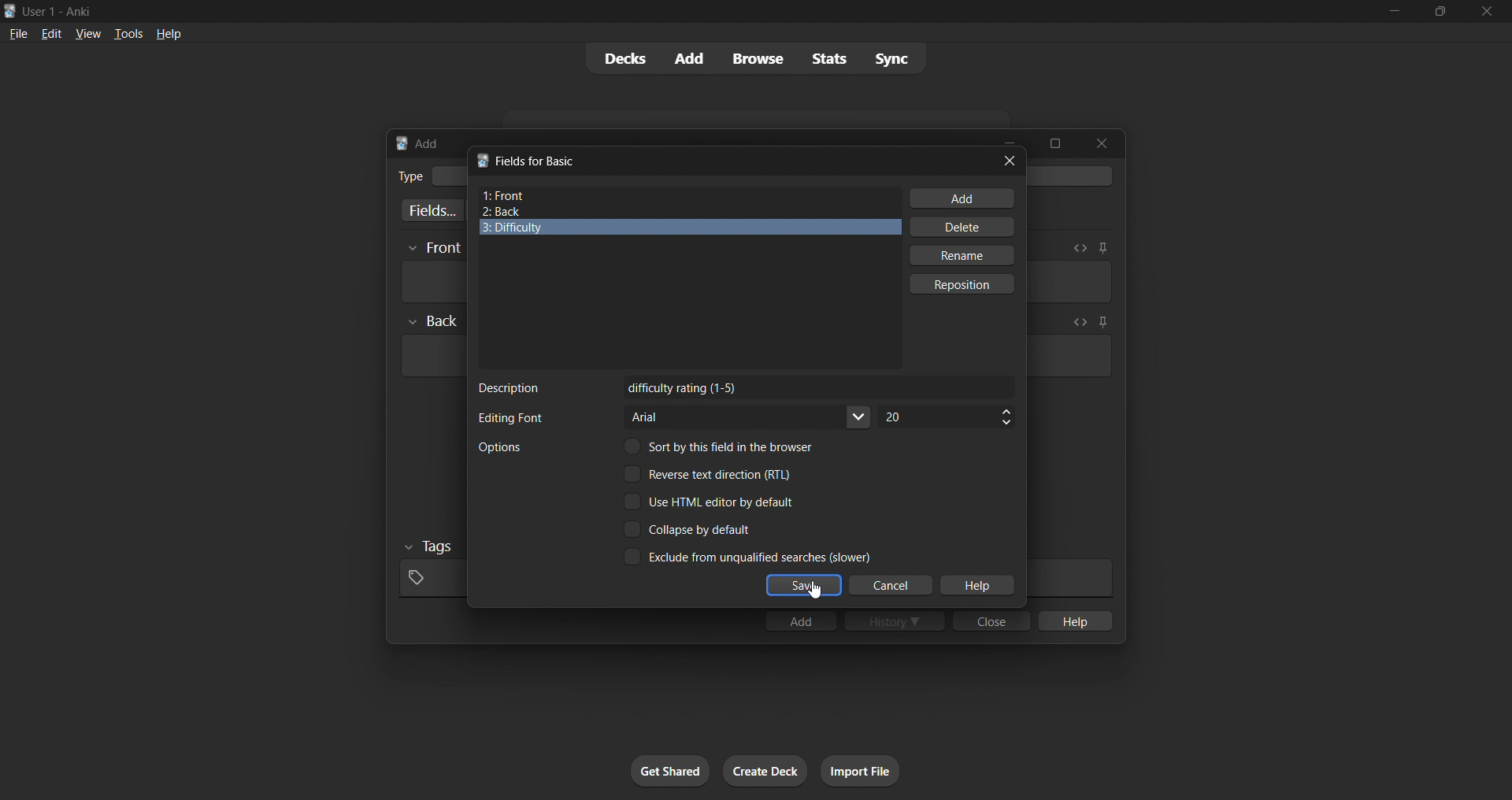 The image size is (1512, 800). I want to click on Text, so click(499, 447).